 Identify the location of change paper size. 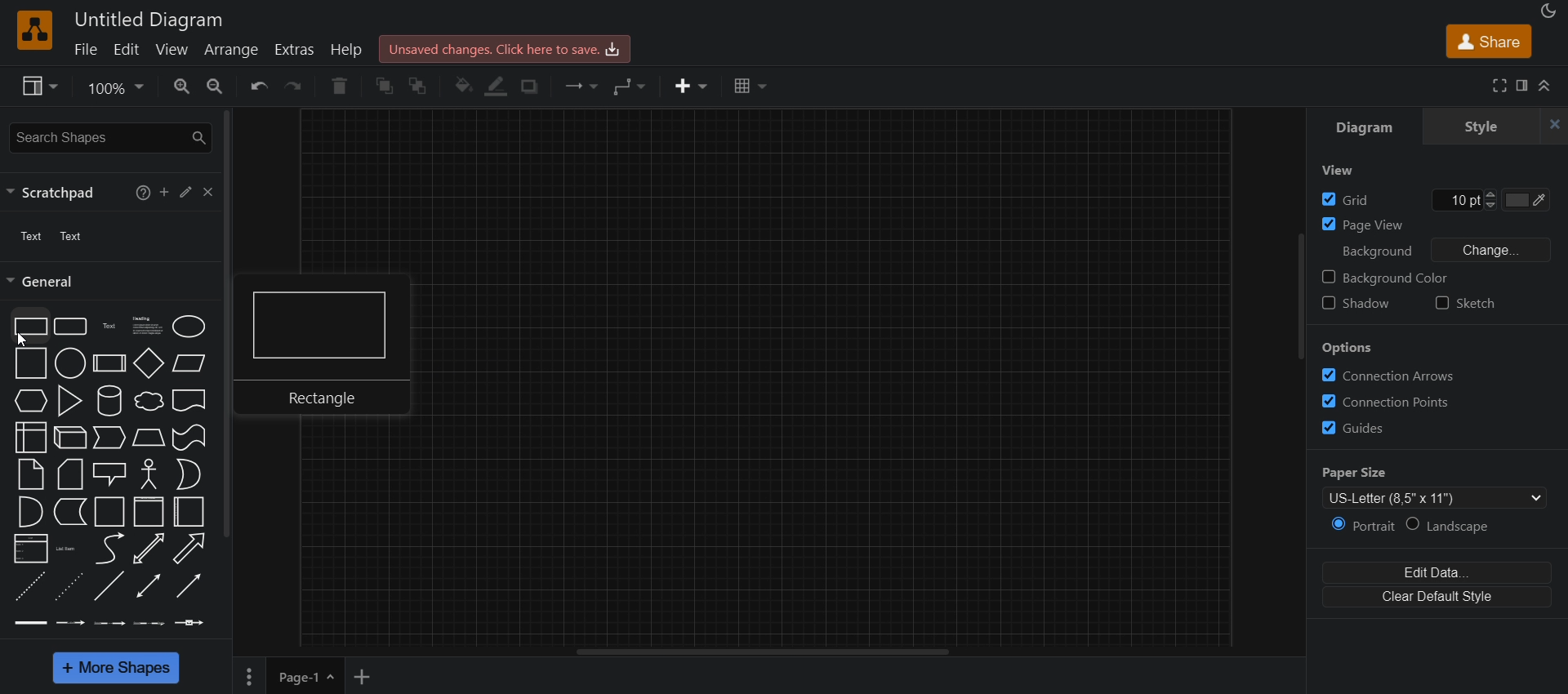
(1430, 496).